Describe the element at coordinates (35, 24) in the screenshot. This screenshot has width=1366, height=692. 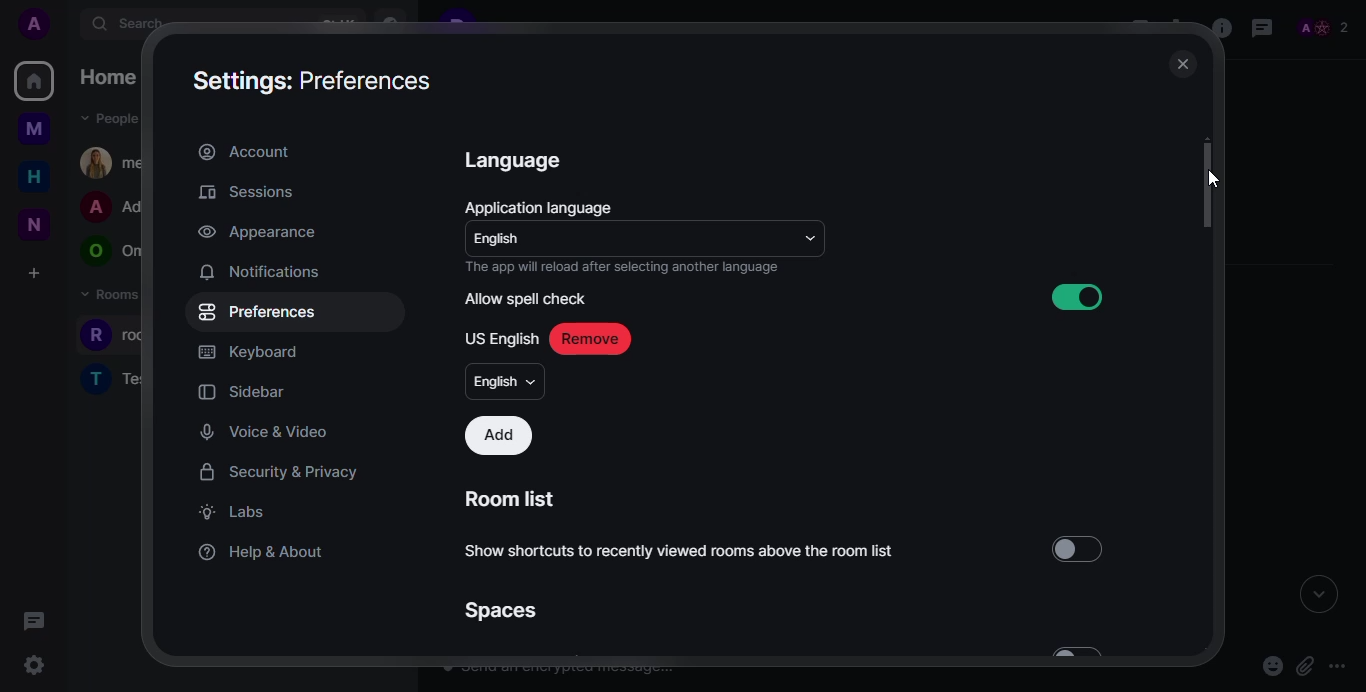
I see `profile` at that location.